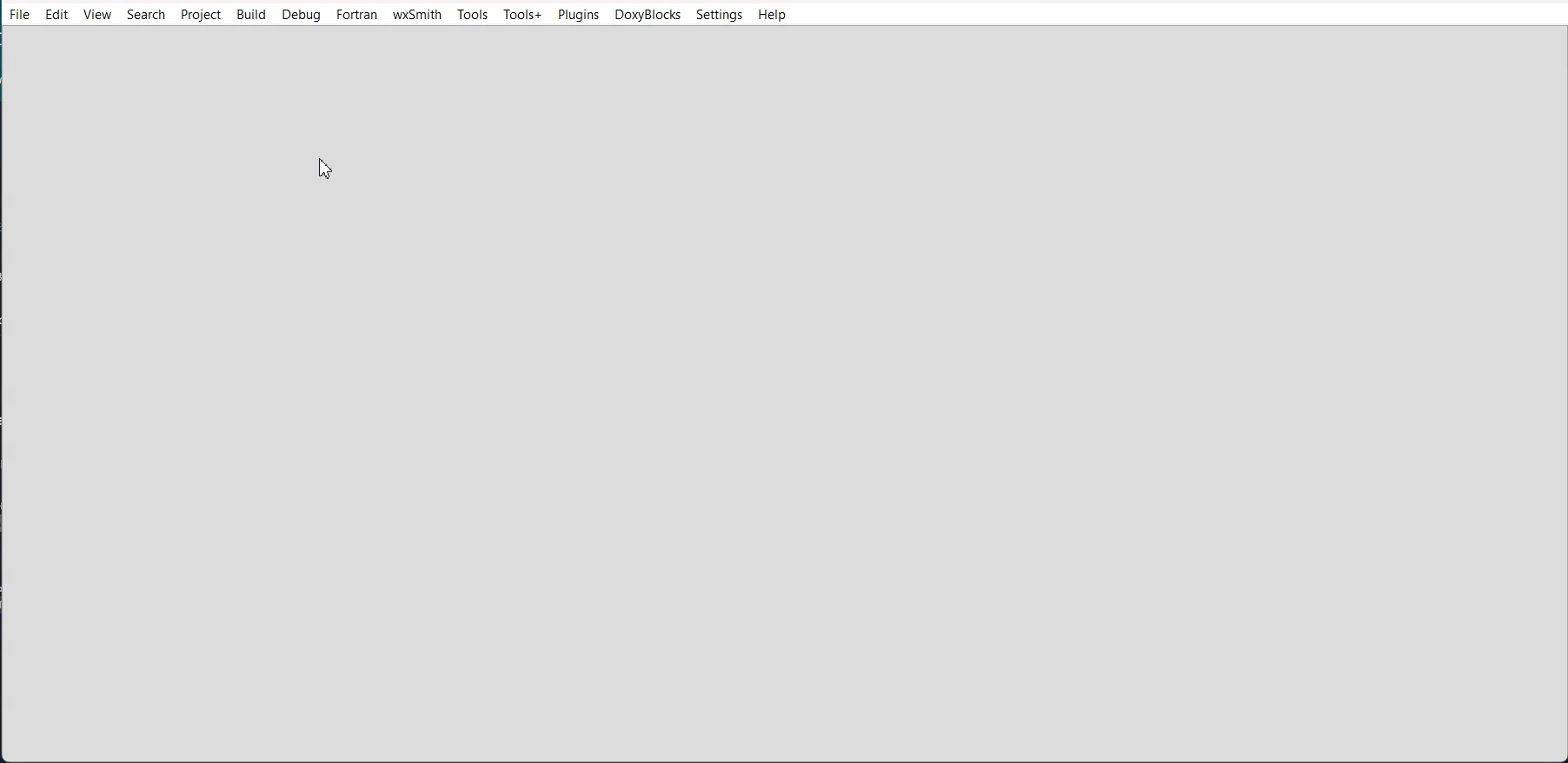  Describe the element at coordinates (648, 15) in the screenshot. I see `DoxyBlocks` at that location.